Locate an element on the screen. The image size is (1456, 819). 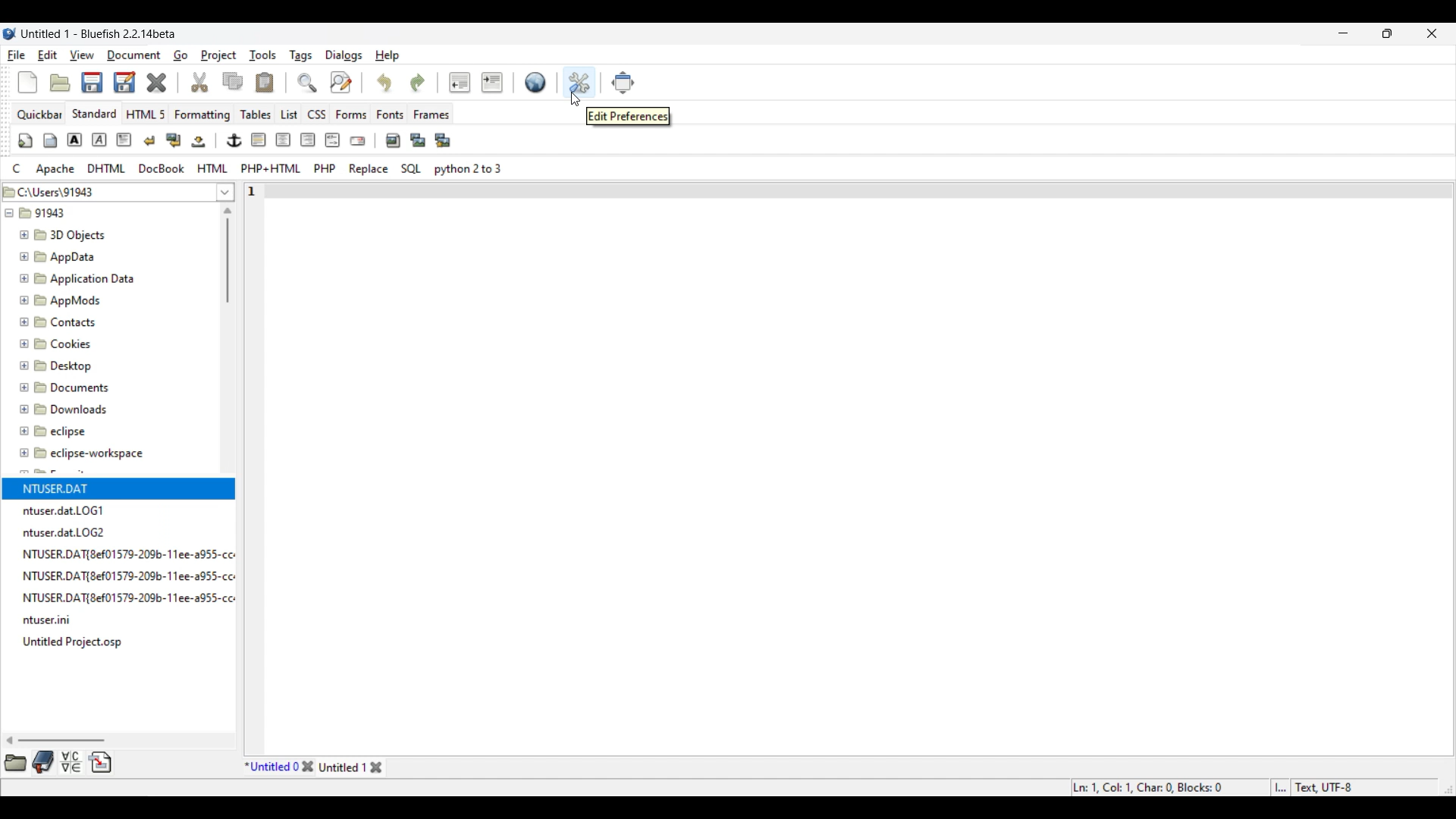
Document menu is located at coordinates (134, 55).